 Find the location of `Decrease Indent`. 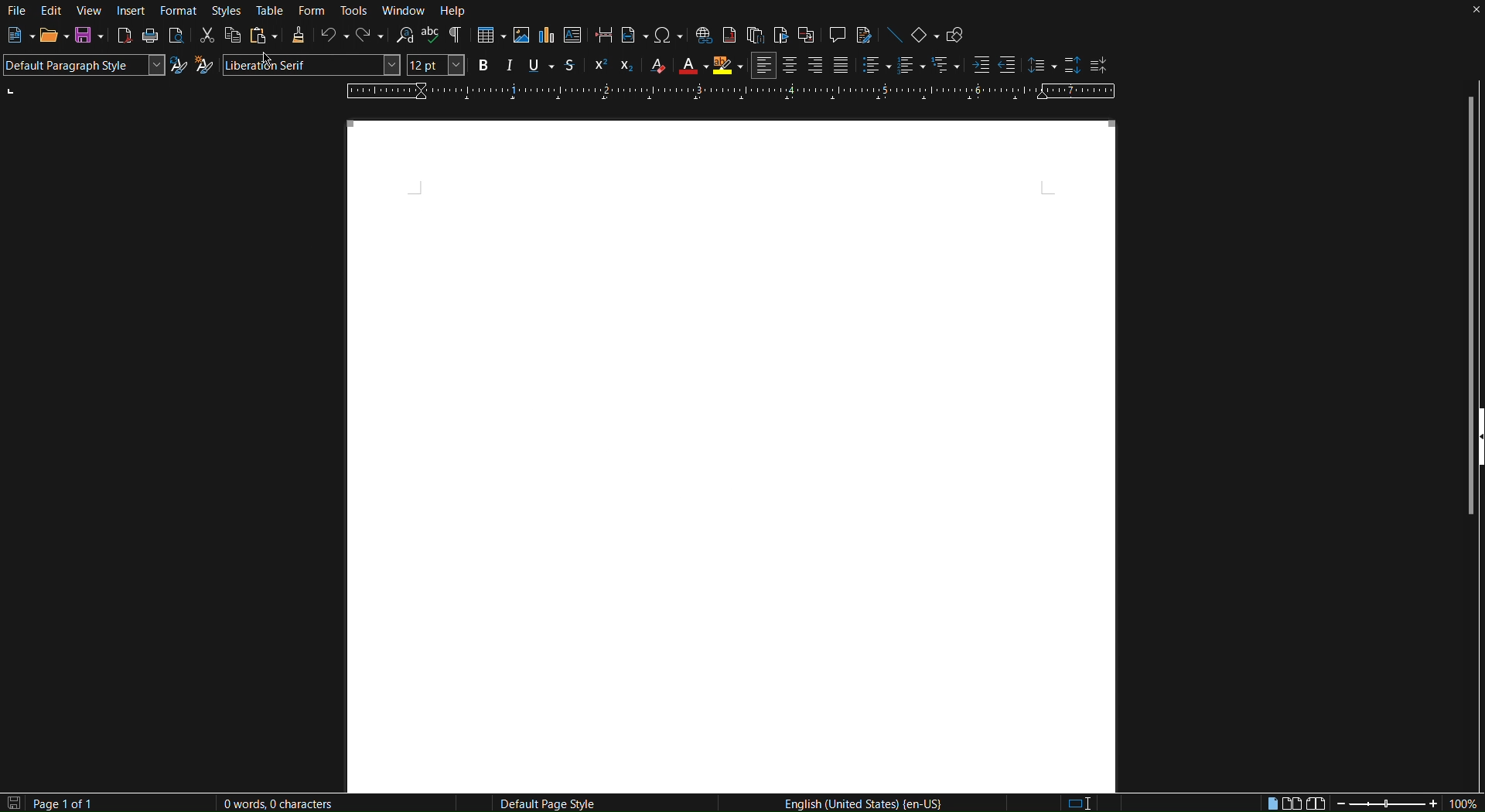

Decrease Indent is located at coordinates (1009, 66).